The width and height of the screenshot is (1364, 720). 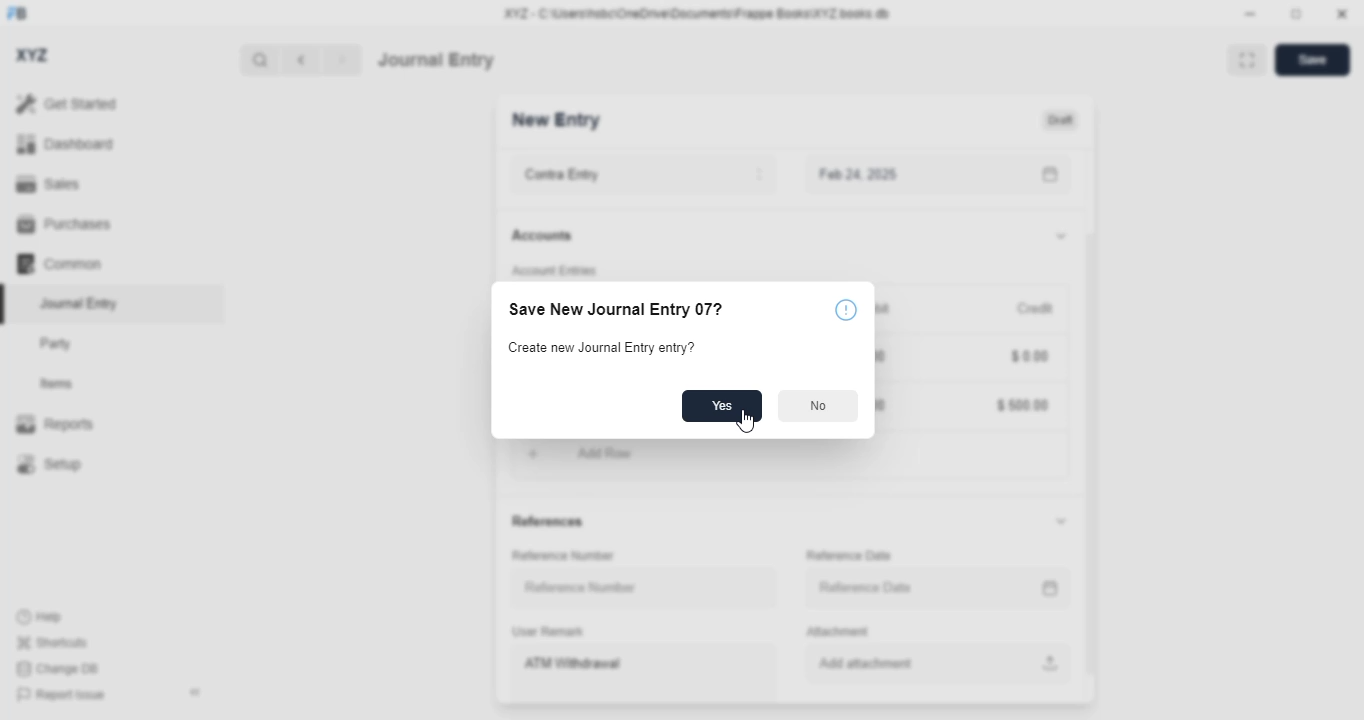 I want to click on journal entry, so click(x=436, y=60).